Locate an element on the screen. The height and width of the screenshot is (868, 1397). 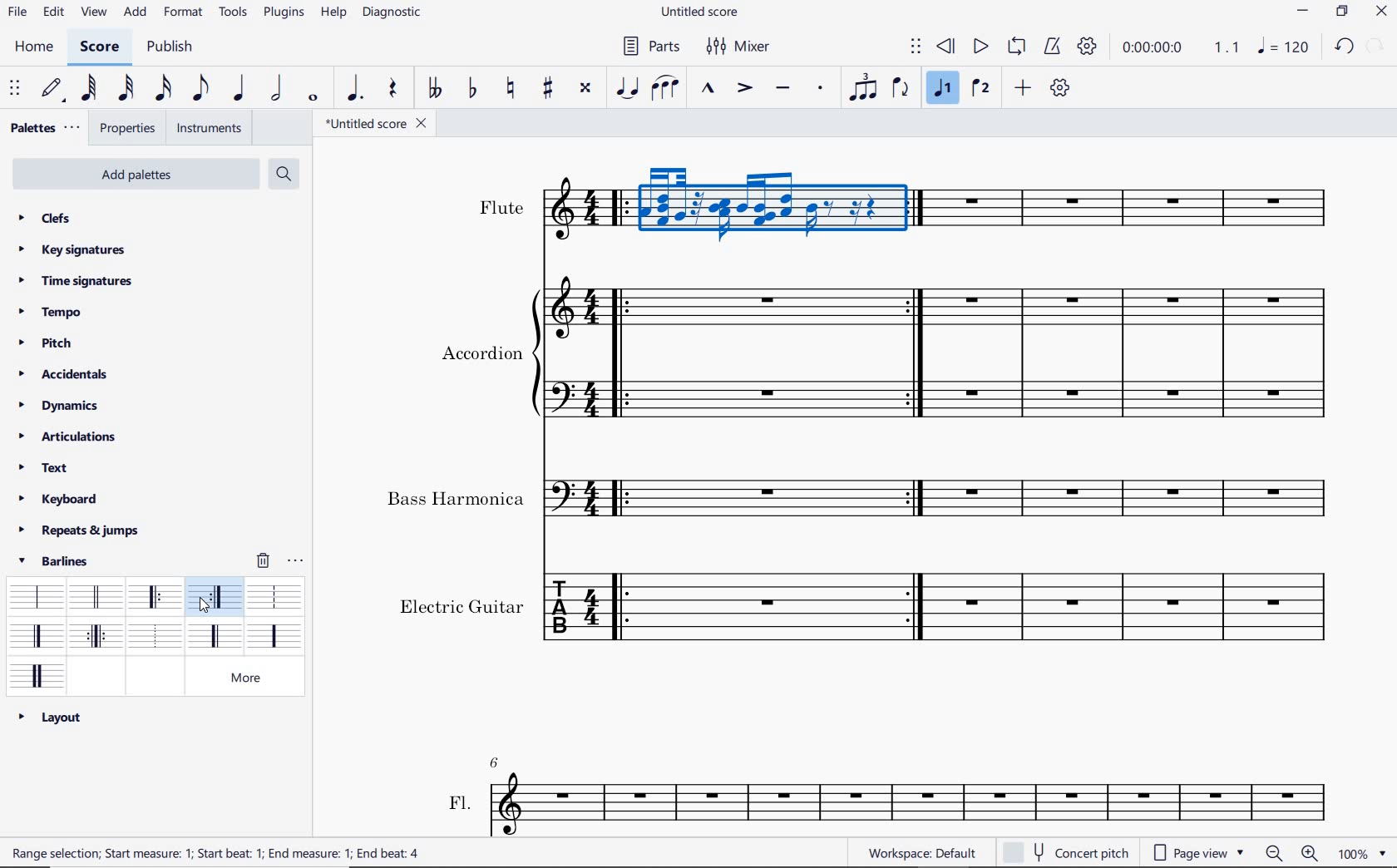
workspace: default is located at coordinates (919, 852).